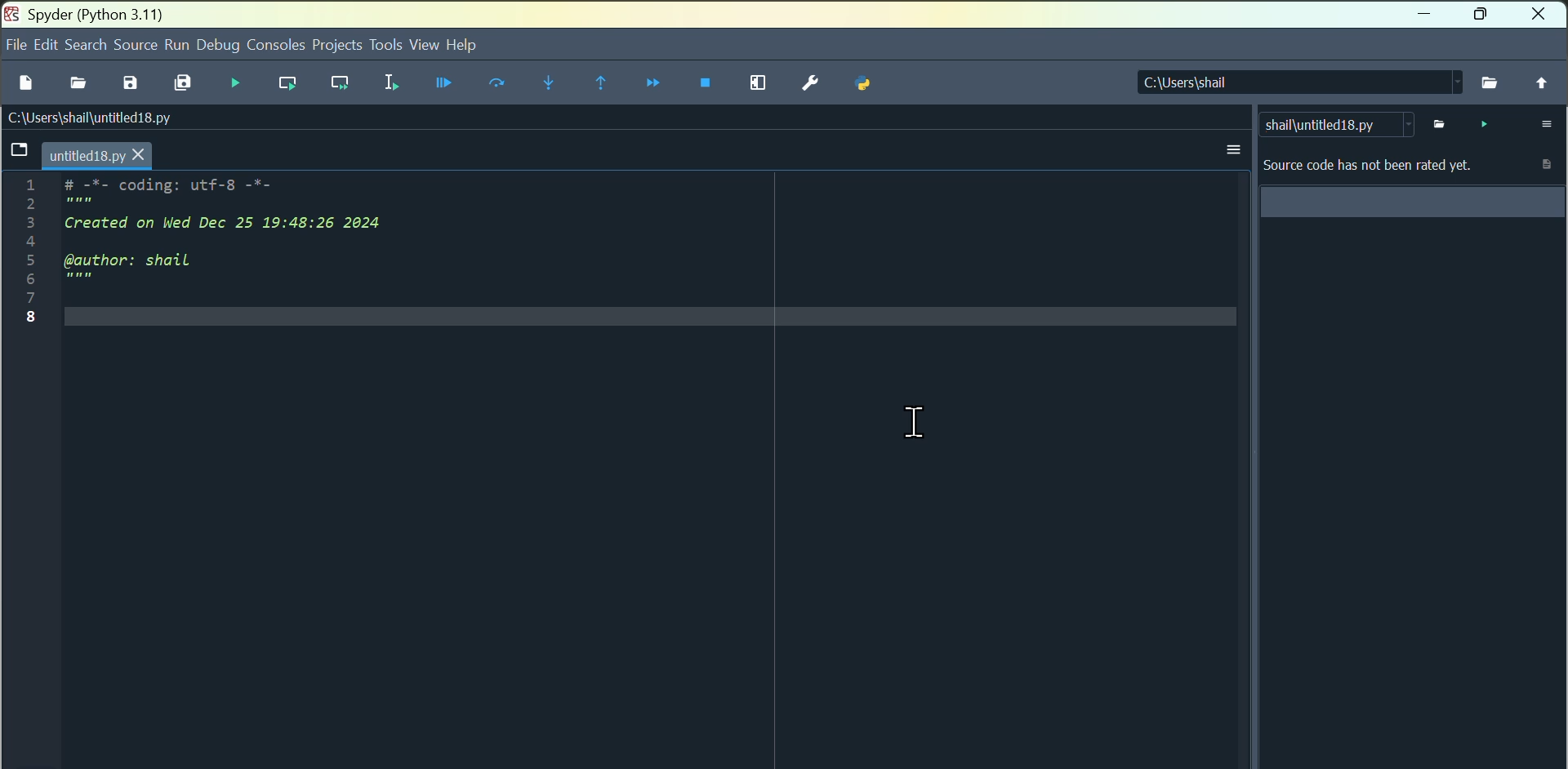 The width and height of the screenshot is (1568, 769). I want to click on file, so click(15, 46).